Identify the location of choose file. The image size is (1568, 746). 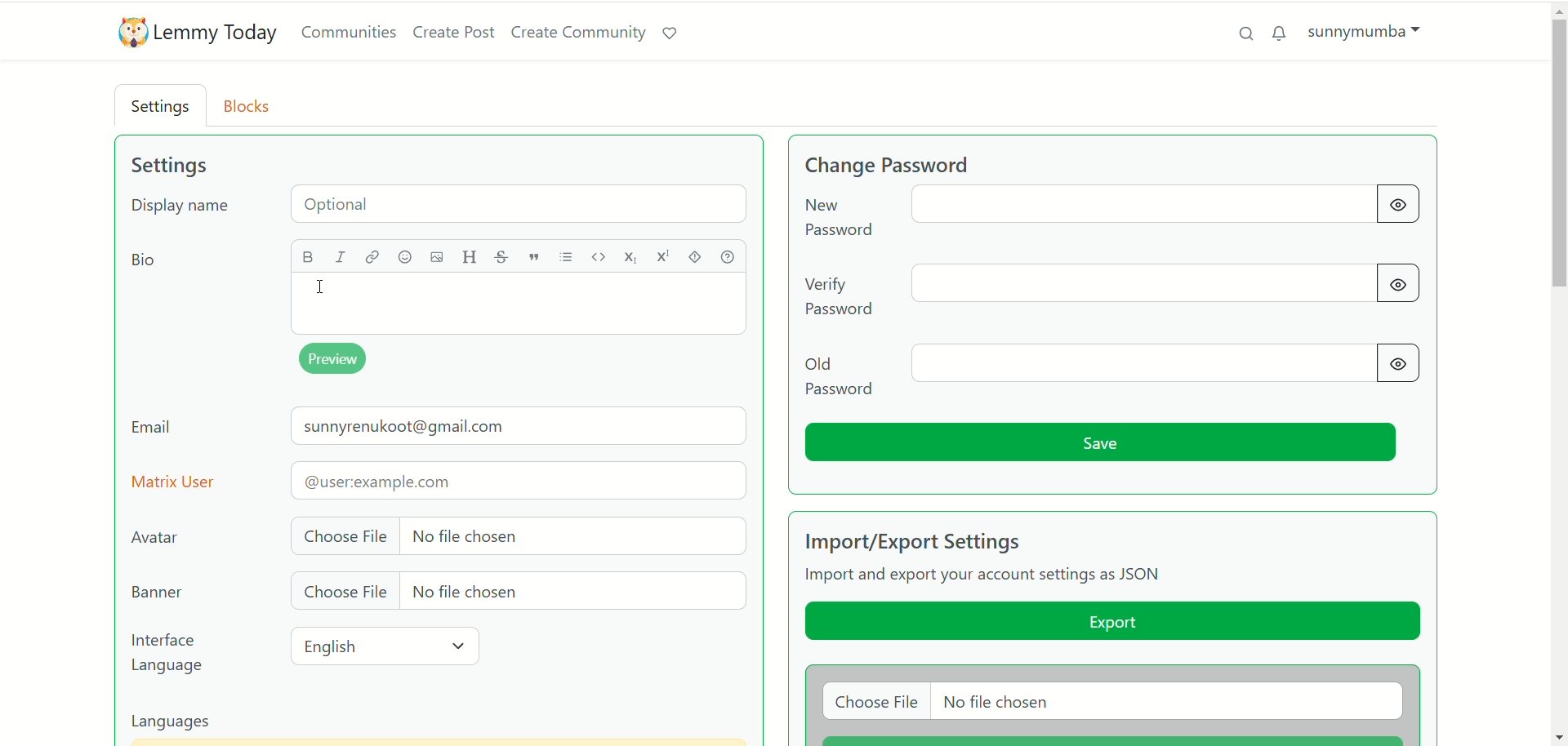
(1111, 702).